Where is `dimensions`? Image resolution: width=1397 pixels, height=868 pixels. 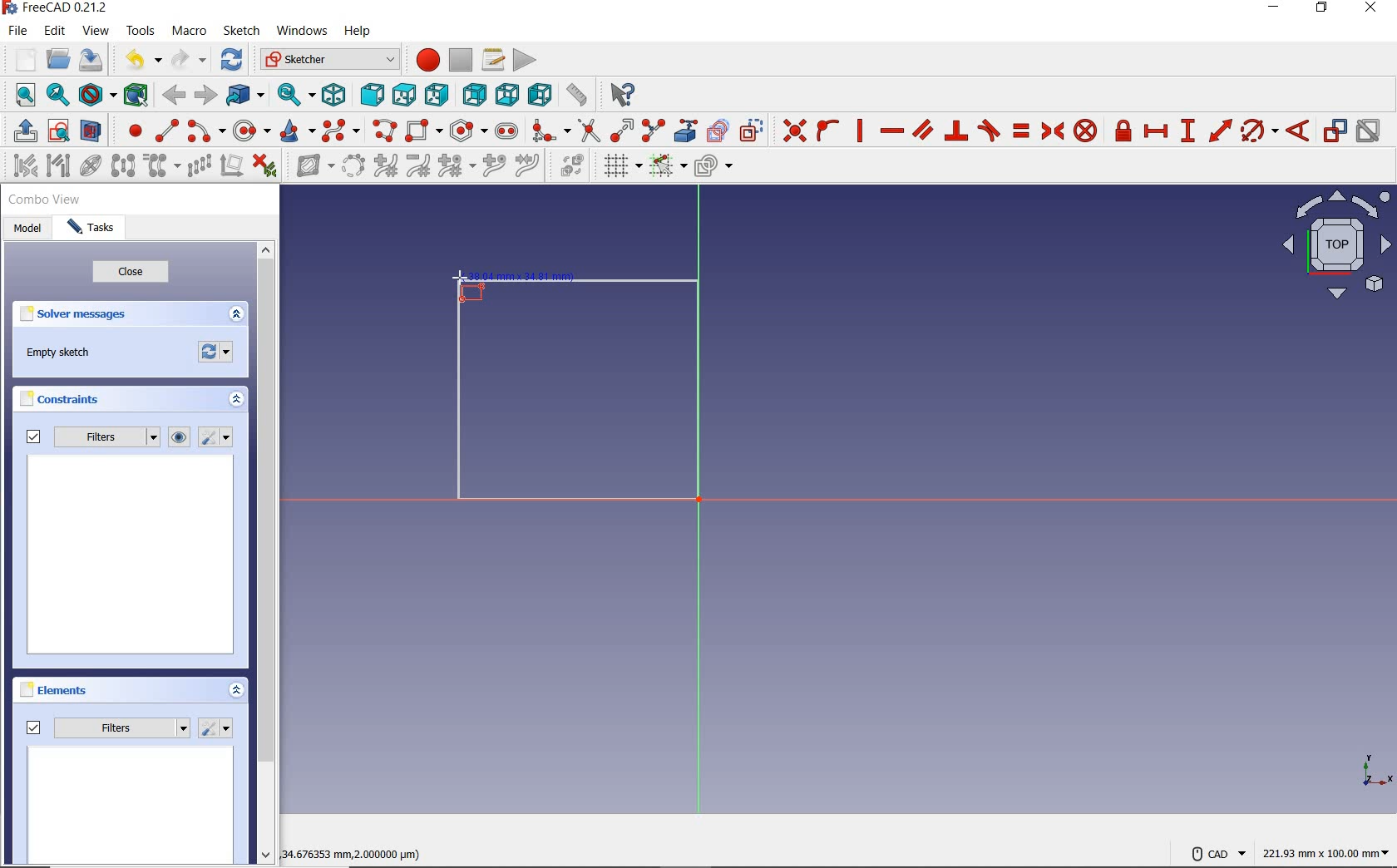 dimensions is located at coordinates (361, 852).